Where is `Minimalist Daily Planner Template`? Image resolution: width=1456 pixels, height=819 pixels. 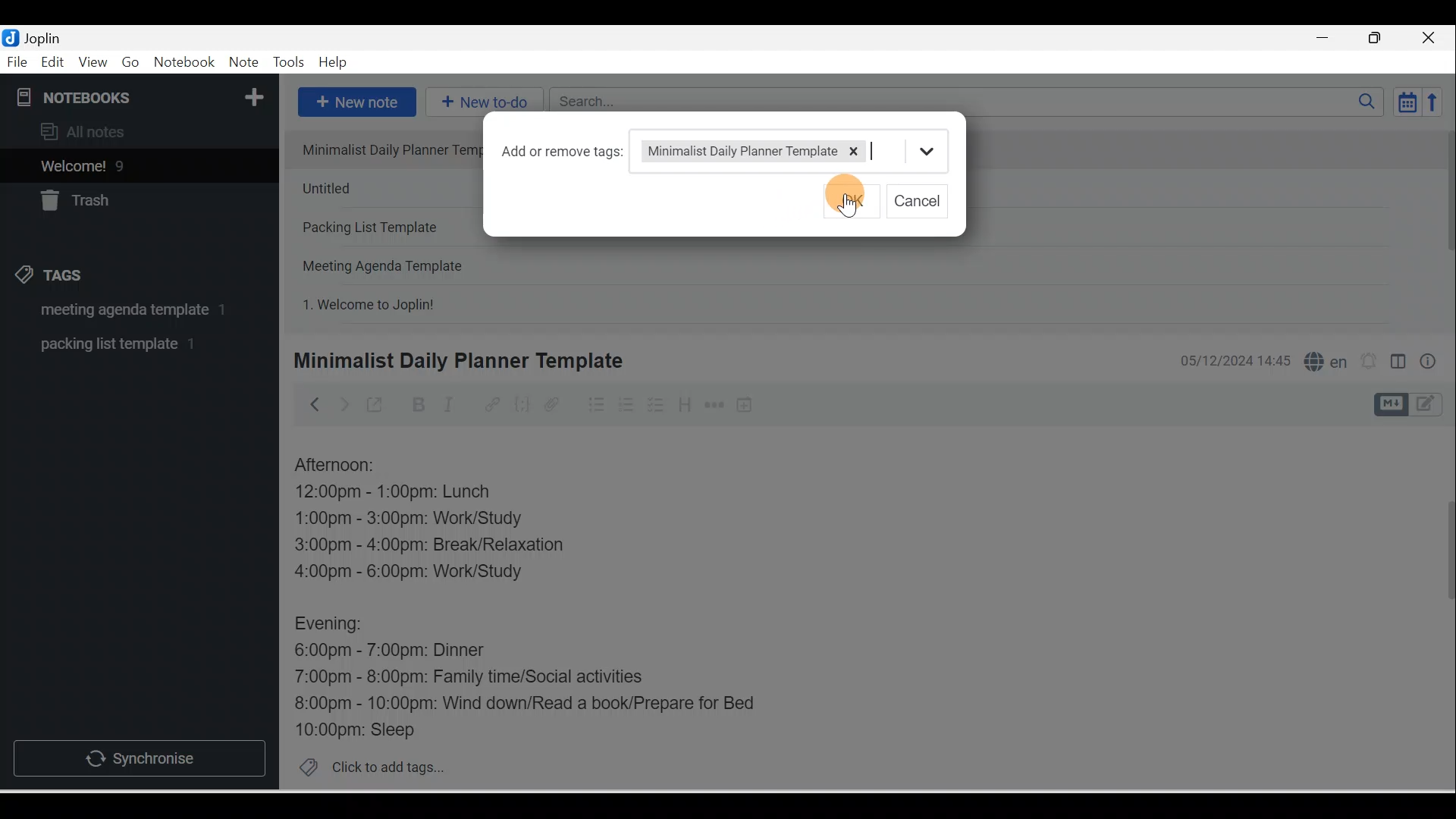 Minimalist Daily Planner Template is located at coordinates (794, 149).